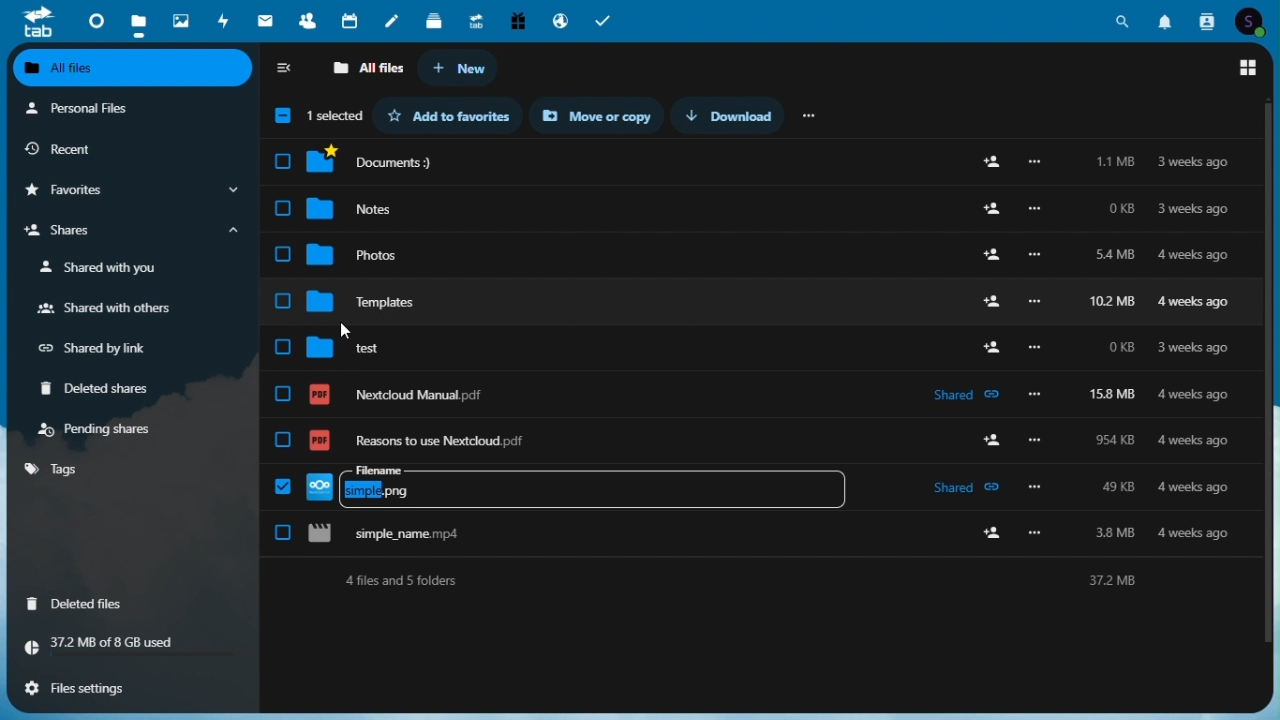 Image resolution: width=1280 pixels, height=720 pixels. Describe the element at coordinates (120, 110) in the screenshot. I see `personal files` at that location.